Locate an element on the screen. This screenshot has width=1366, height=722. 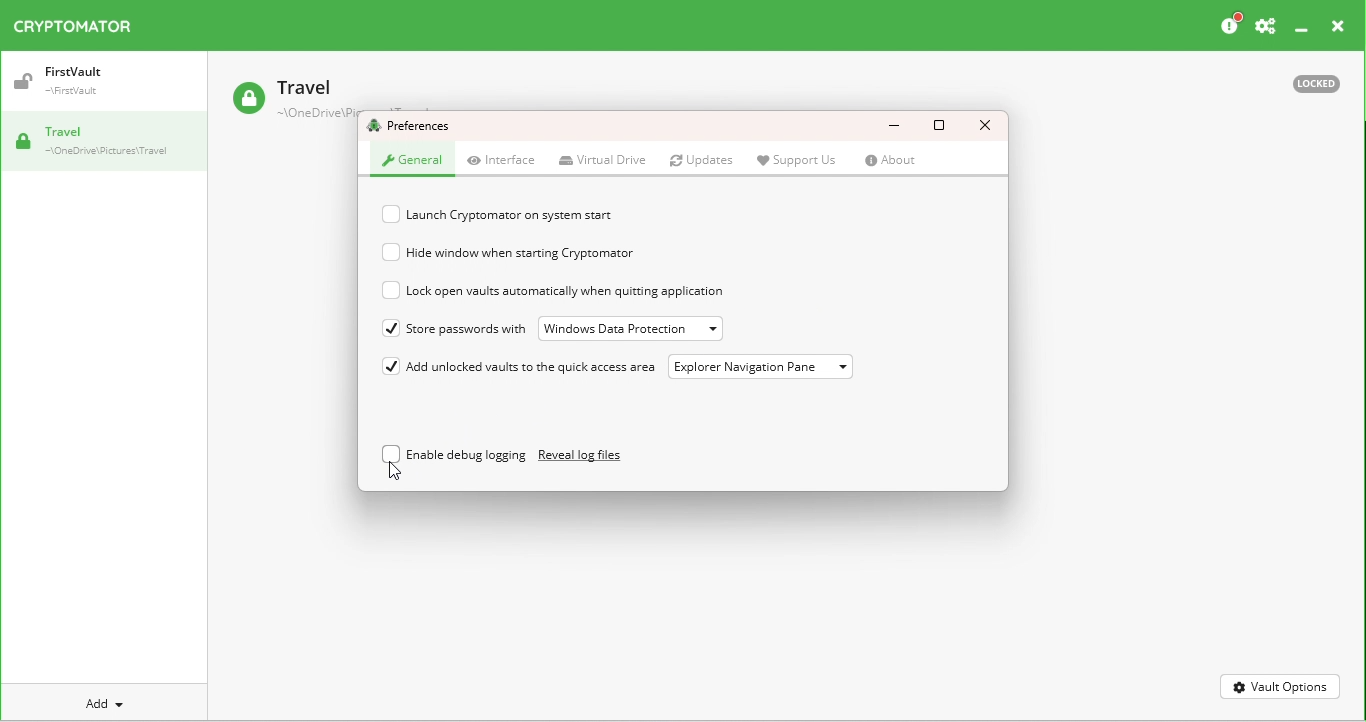
Enable debug logging is located at coordinates (469, 454).